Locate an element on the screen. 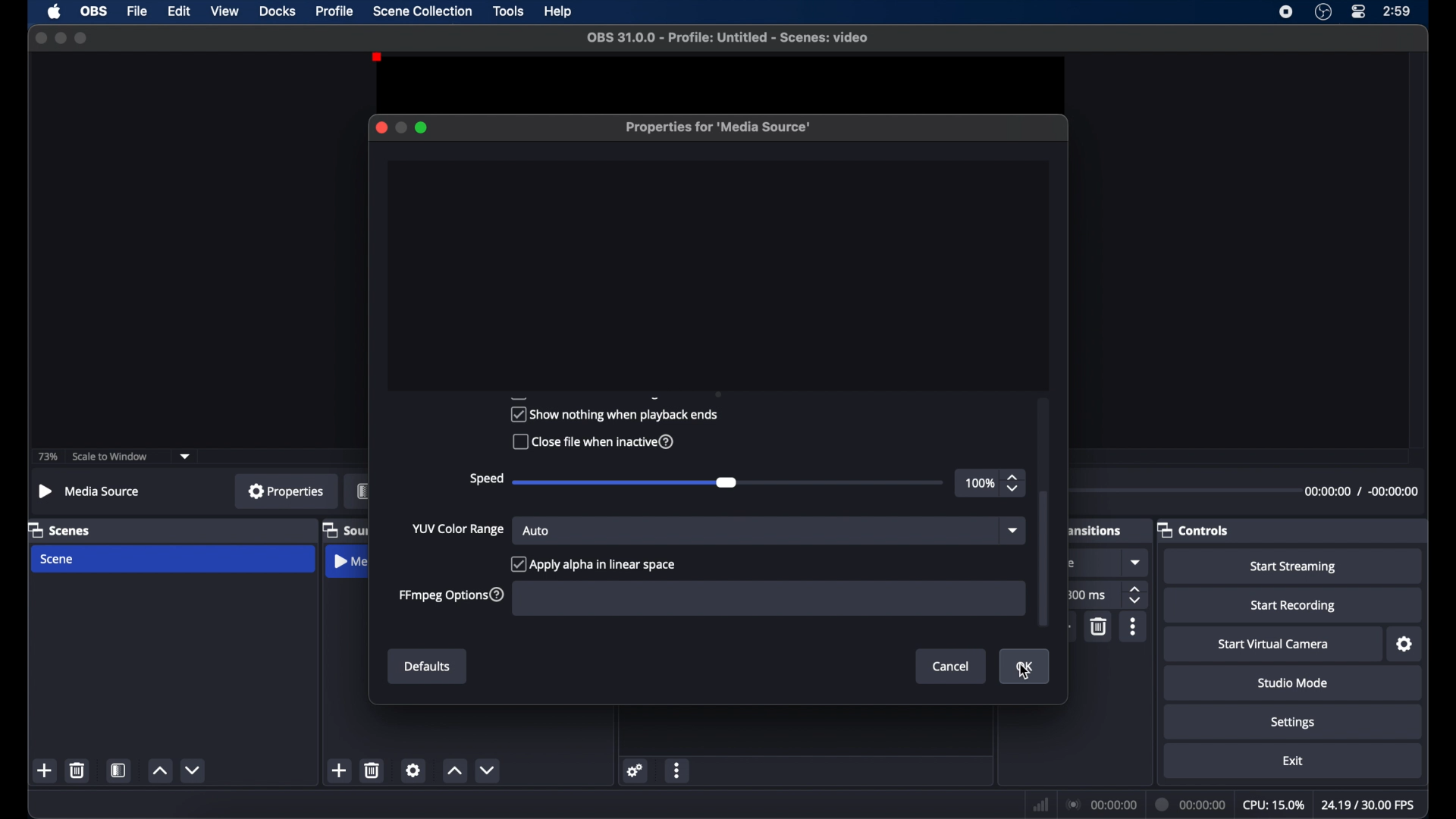 This screenshot has height=819, width=1456. dropdown is located at coordinates (186, 457).